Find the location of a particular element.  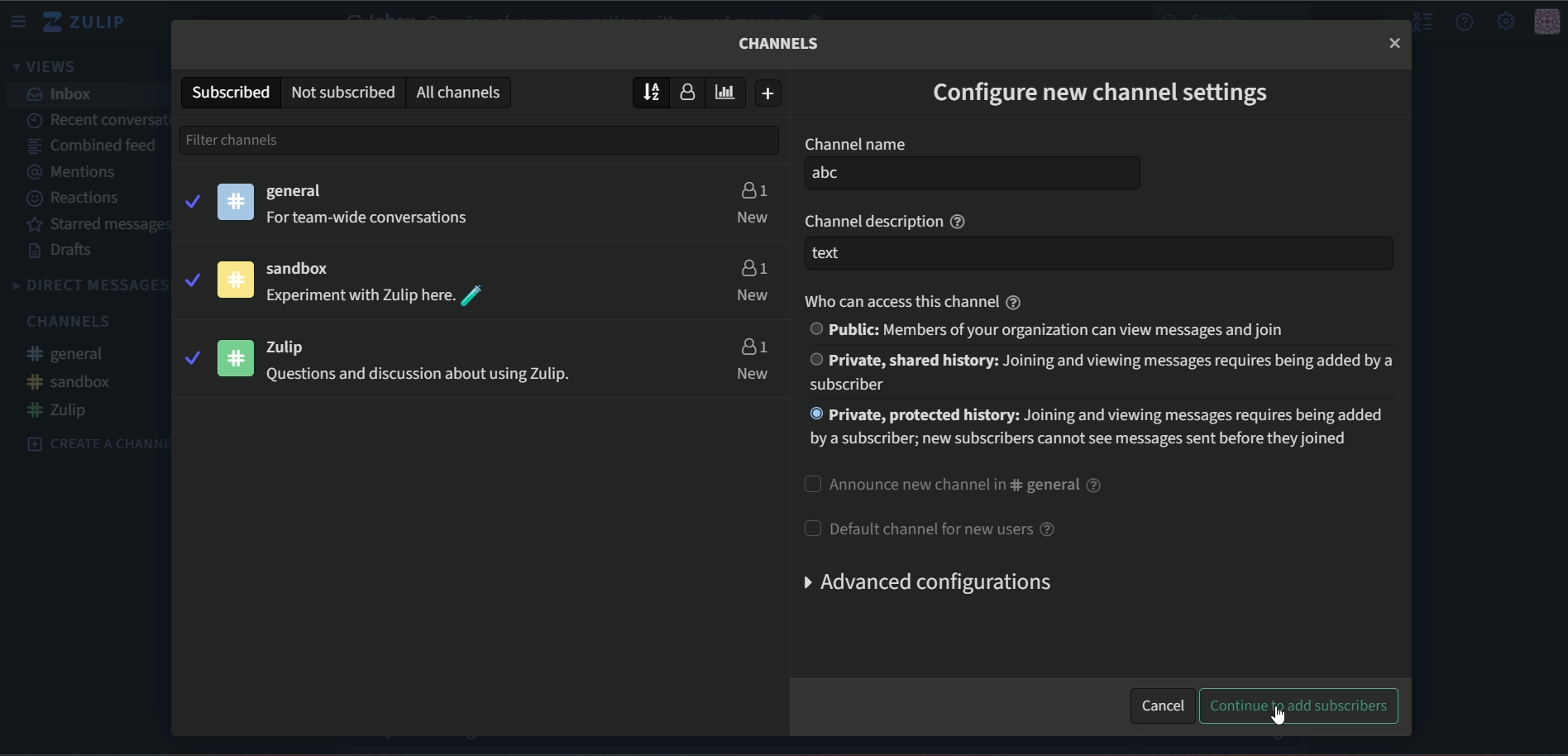

tick is located at coordinates (191, 199).